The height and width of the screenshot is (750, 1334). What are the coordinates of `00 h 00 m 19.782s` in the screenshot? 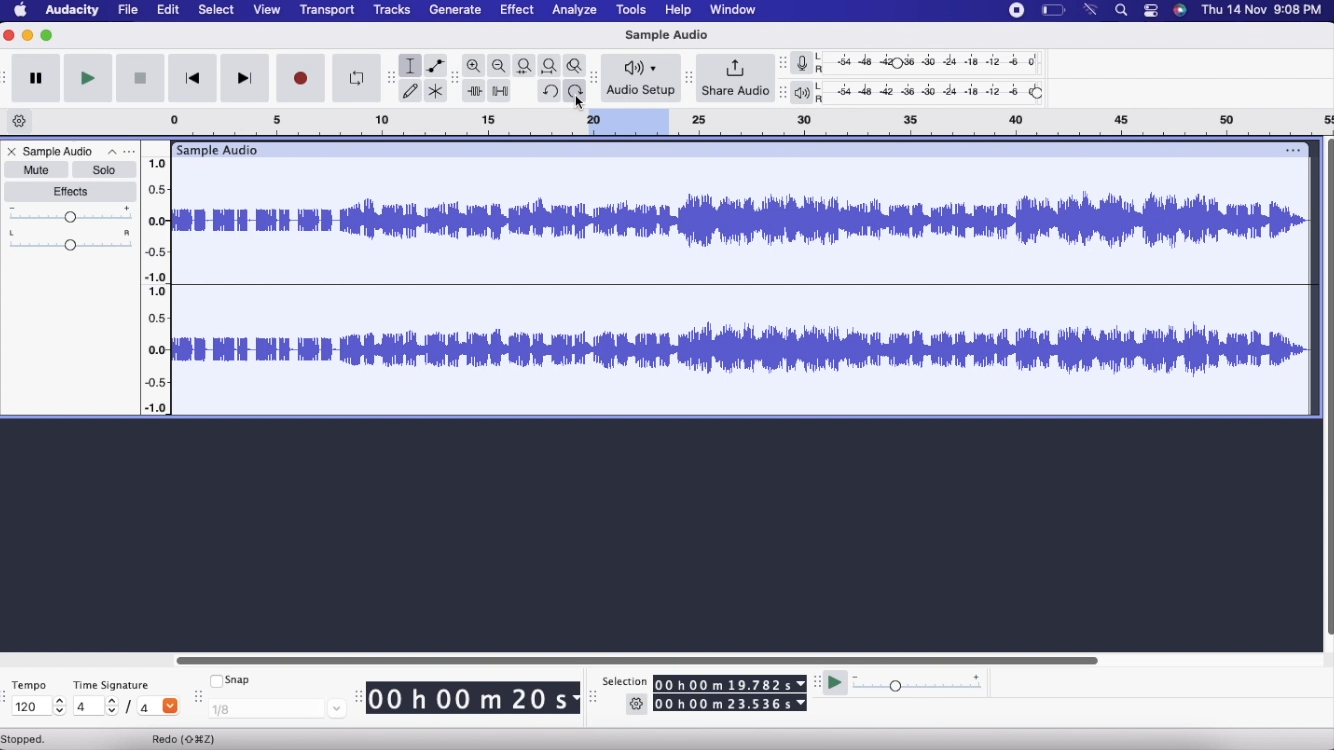 It's located at (731, 684).